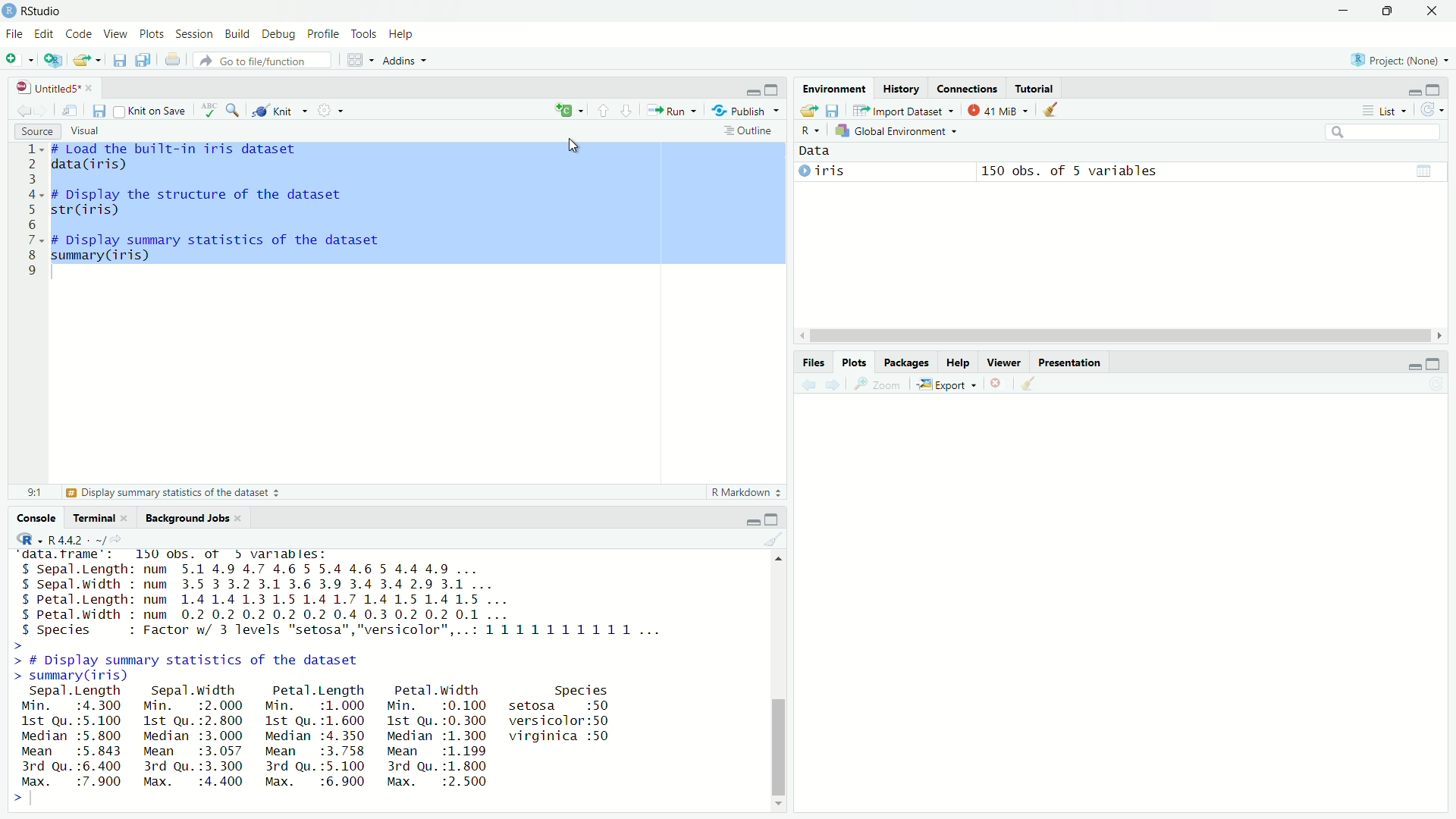  I want to click on Build, so click(237, 33).